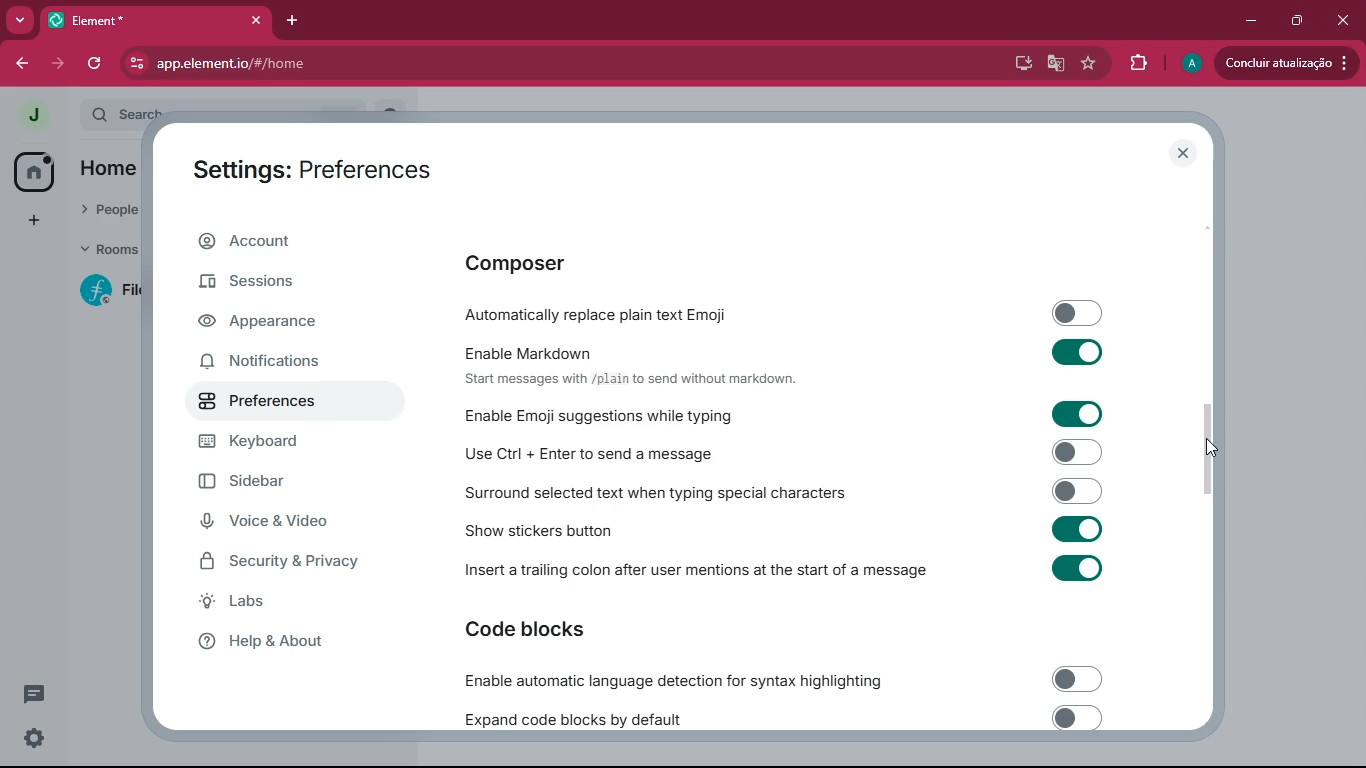 This screenshot has height=768, width=1366. I want to click on conduir atualizacao, so click(1283, 64).